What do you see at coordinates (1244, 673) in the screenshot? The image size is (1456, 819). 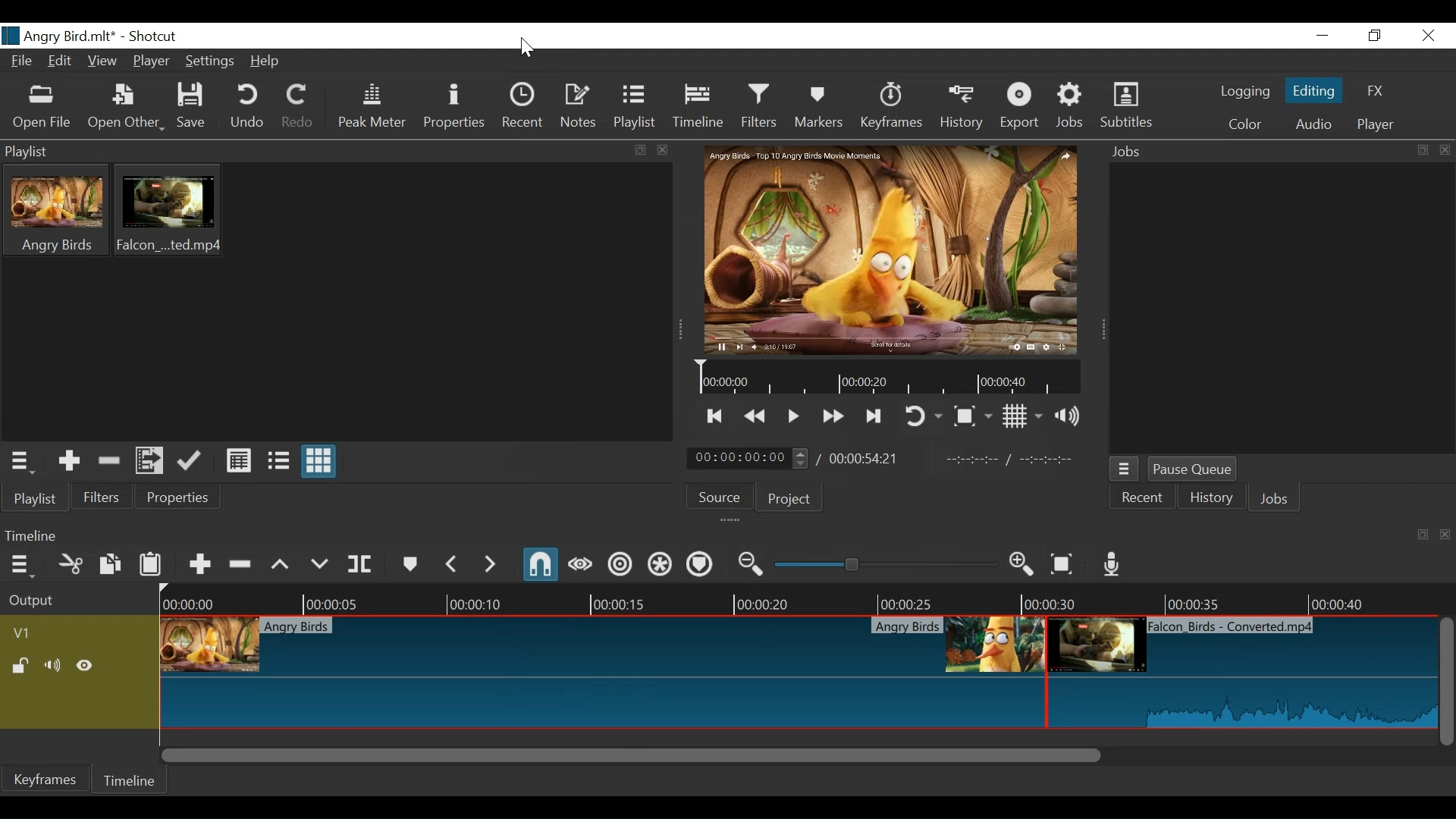 I see `Clip ` at bounding box center [1244, 673].